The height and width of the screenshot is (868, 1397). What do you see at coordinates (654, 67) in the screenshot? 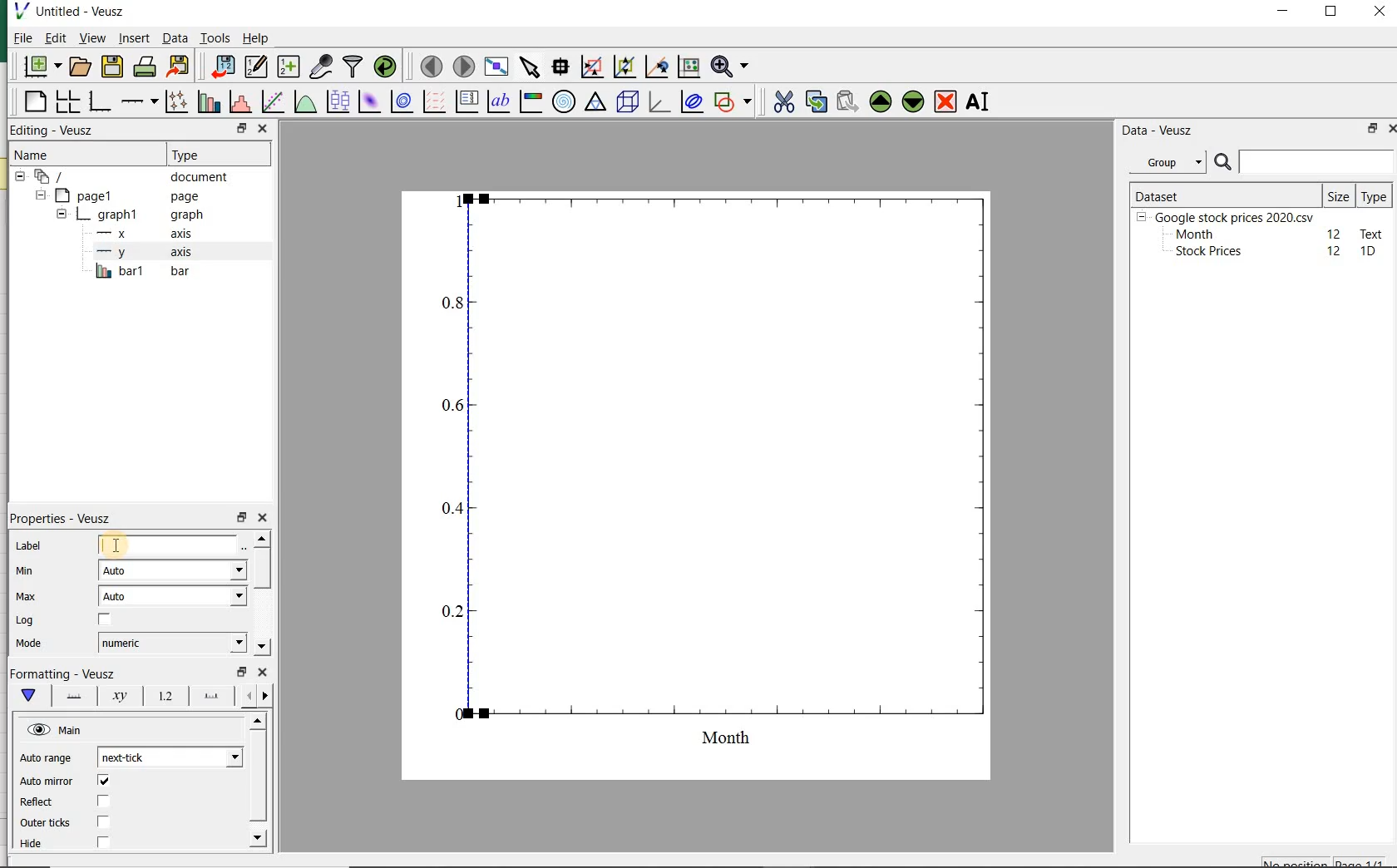
I see `click to recenter graph axes` at bounding box center [654, 67].